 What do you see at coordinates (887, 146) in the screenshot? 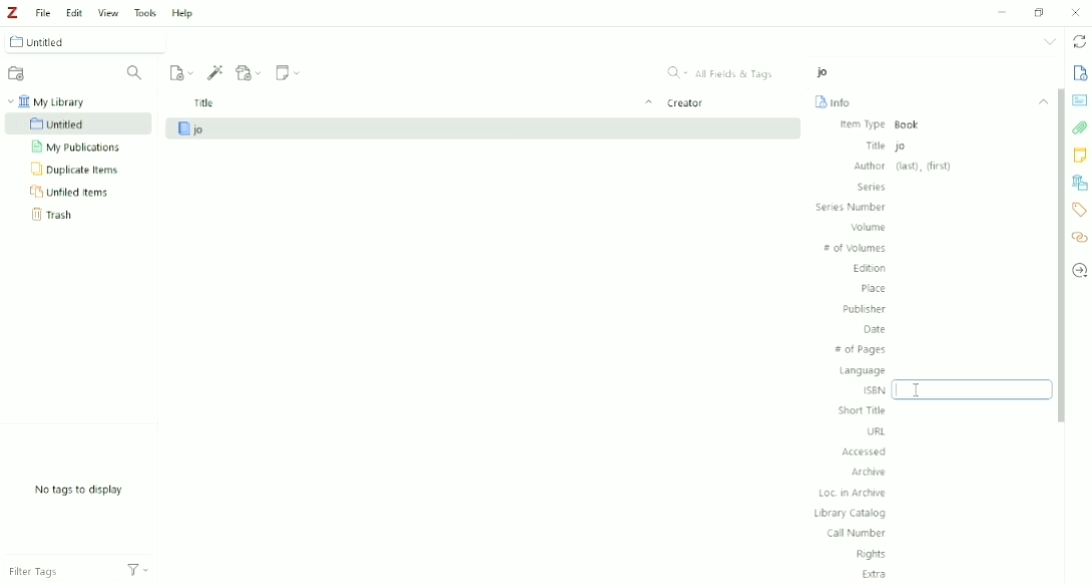
I see `Title jo` at bounding box center [887, 146].